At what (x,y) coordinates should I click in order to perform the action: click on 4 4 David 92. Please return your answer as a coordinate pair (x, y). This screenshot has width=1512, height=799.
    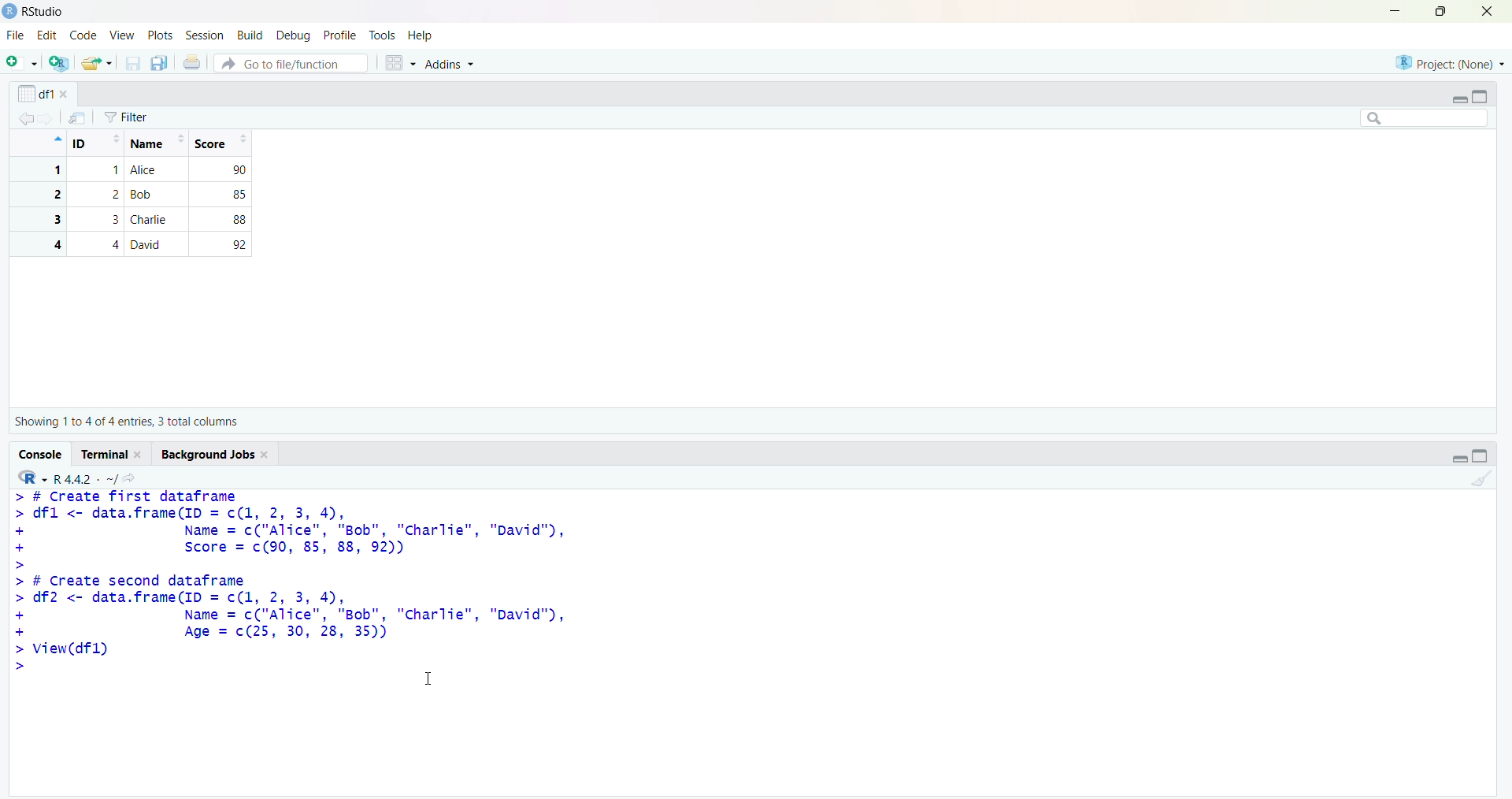
    Looking at the image, I should click on (135, 244).